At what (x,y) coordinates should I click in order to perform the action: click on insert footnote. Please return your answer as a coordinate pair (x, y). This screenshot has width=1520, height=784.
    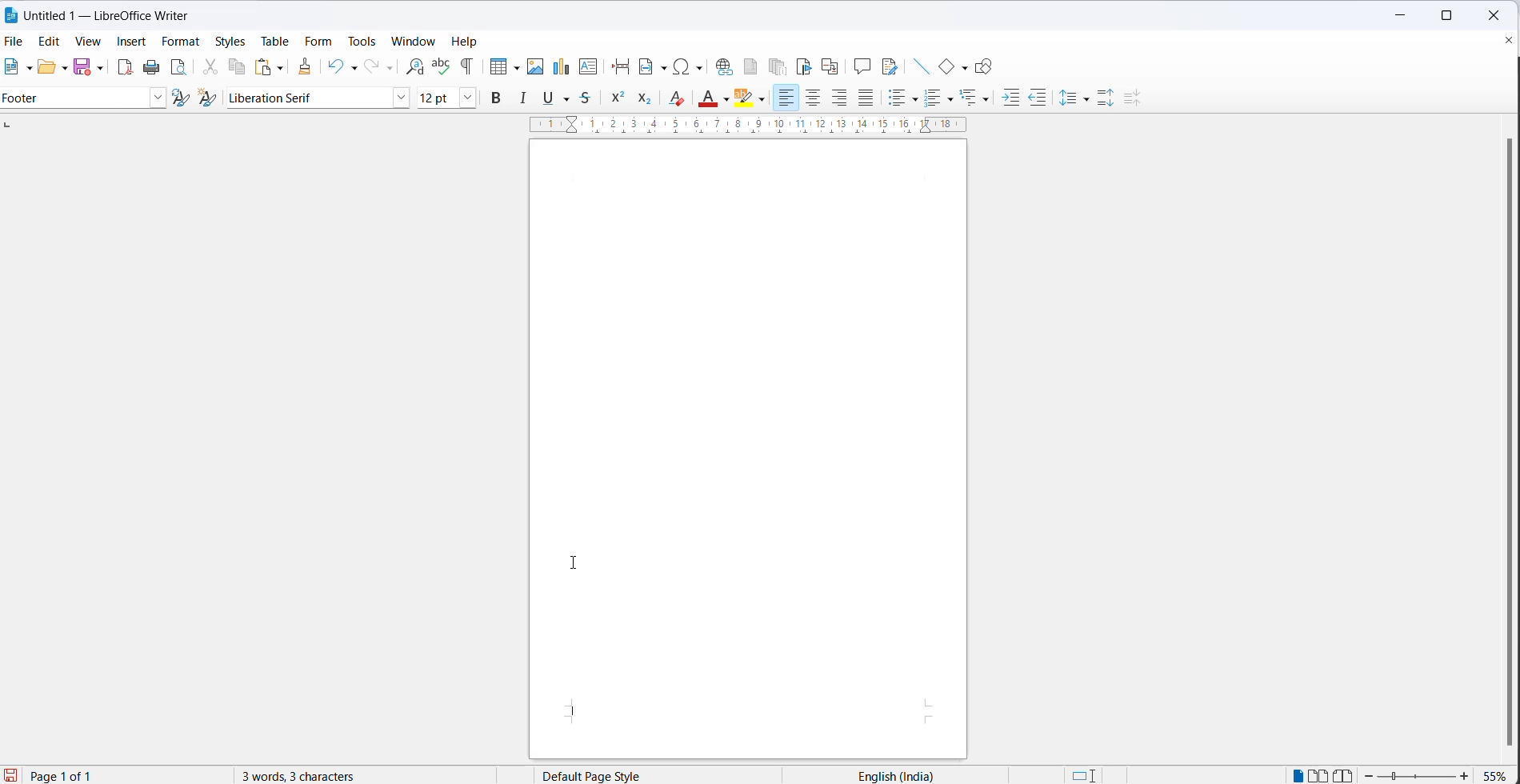
    Looking at the image, I should click on (752, 66).